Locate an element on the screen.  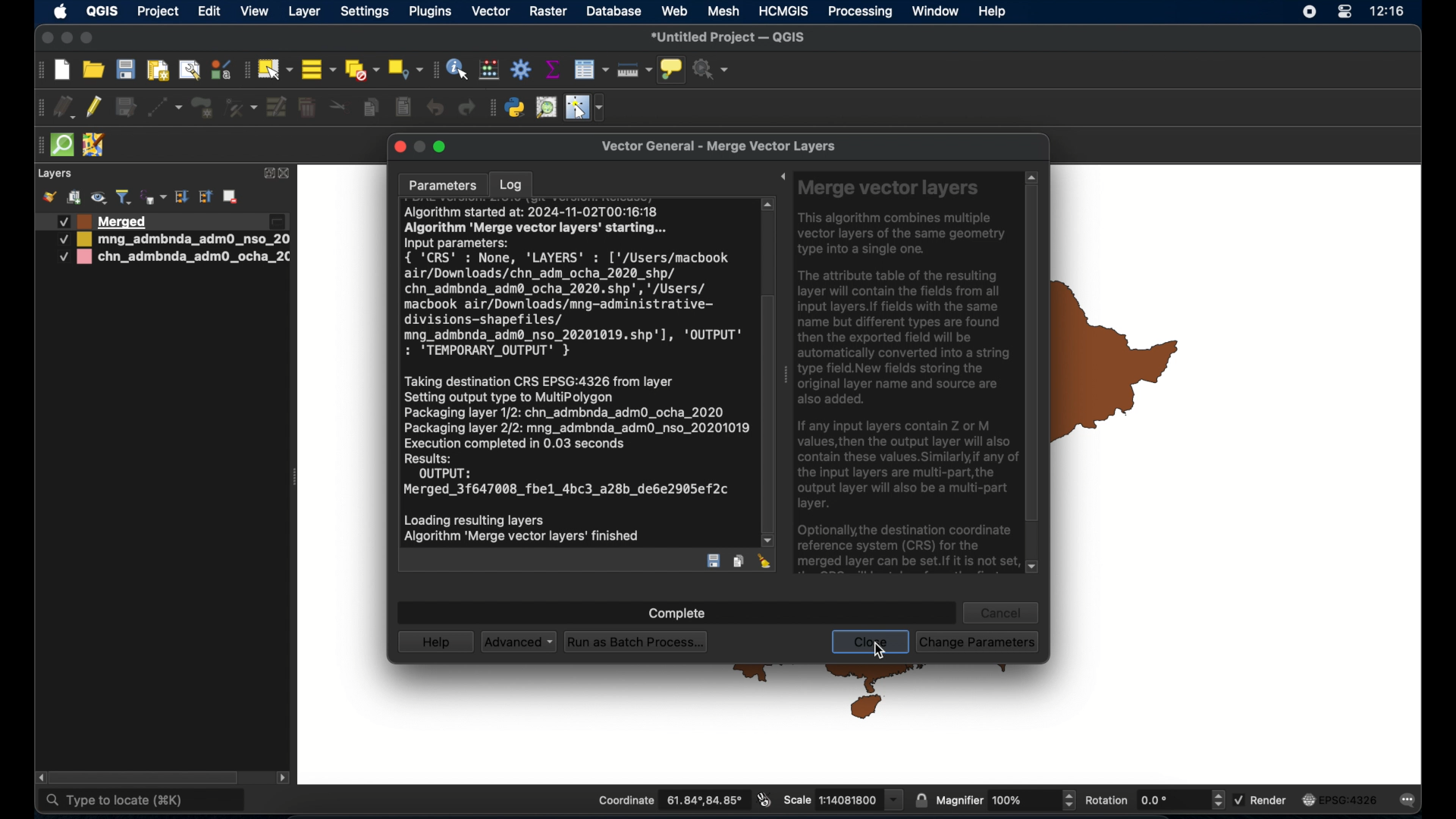
screen recorder icon is located at coordinates (1307, 12).